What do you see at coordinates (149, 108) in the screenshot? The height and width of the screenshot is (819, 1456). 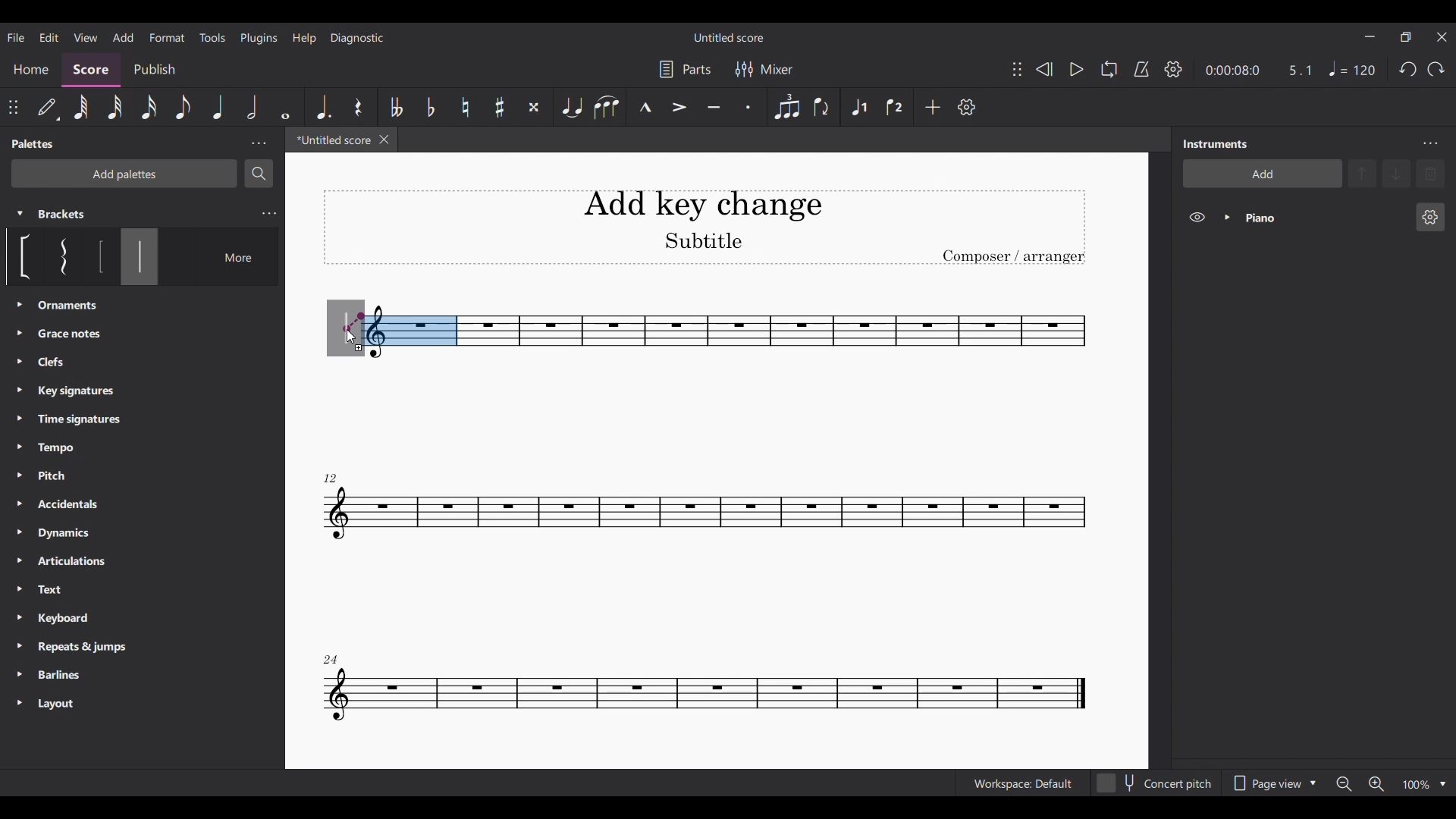 I see `16th note` at bounding box center [149, 108].